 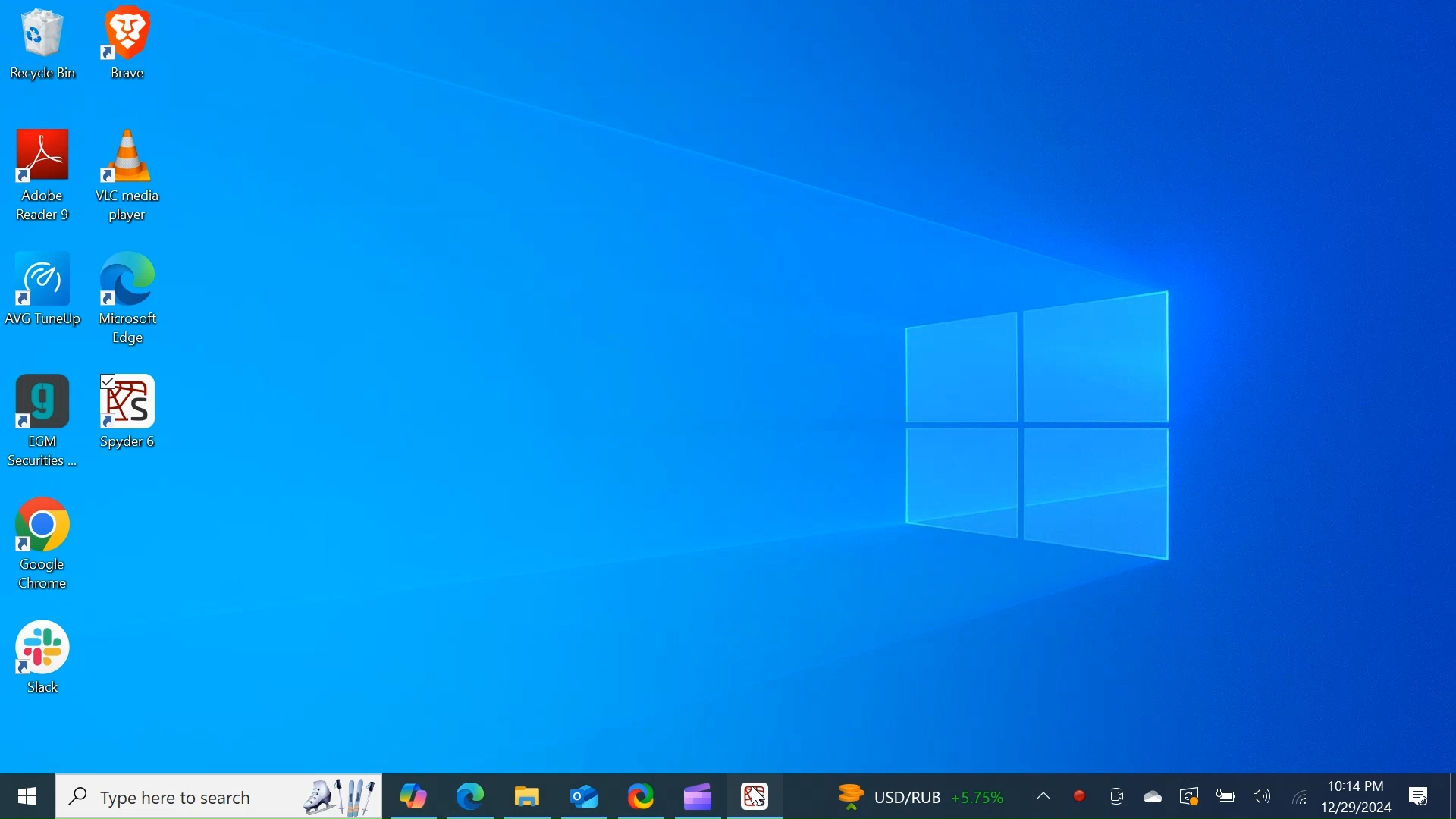 I want to click on Copilot, so click(x=415, y=796).